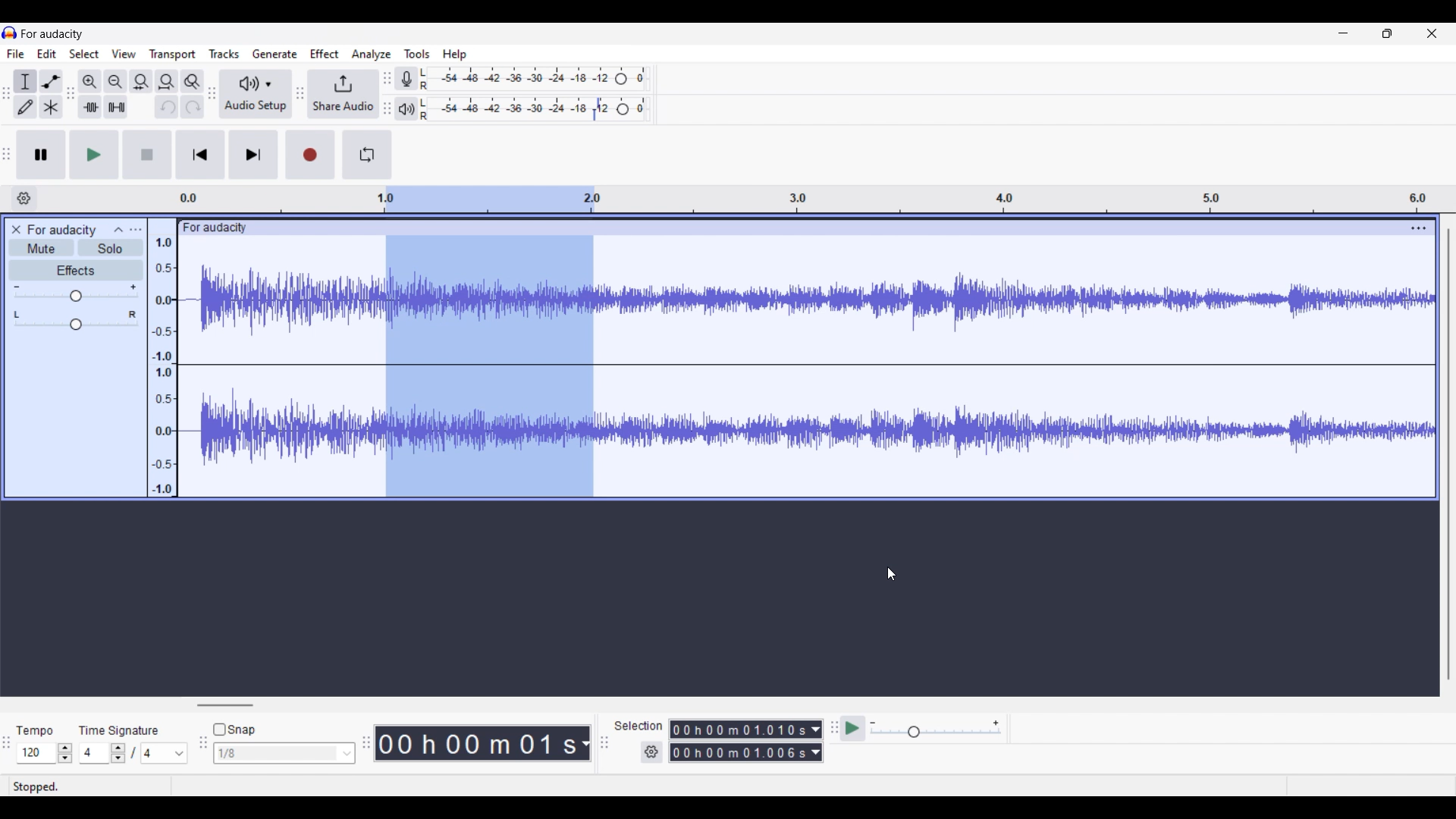  Describe the element at coordinates (477, 743) in the screenshot. I see `00 h 00 m 07 s` at that location.